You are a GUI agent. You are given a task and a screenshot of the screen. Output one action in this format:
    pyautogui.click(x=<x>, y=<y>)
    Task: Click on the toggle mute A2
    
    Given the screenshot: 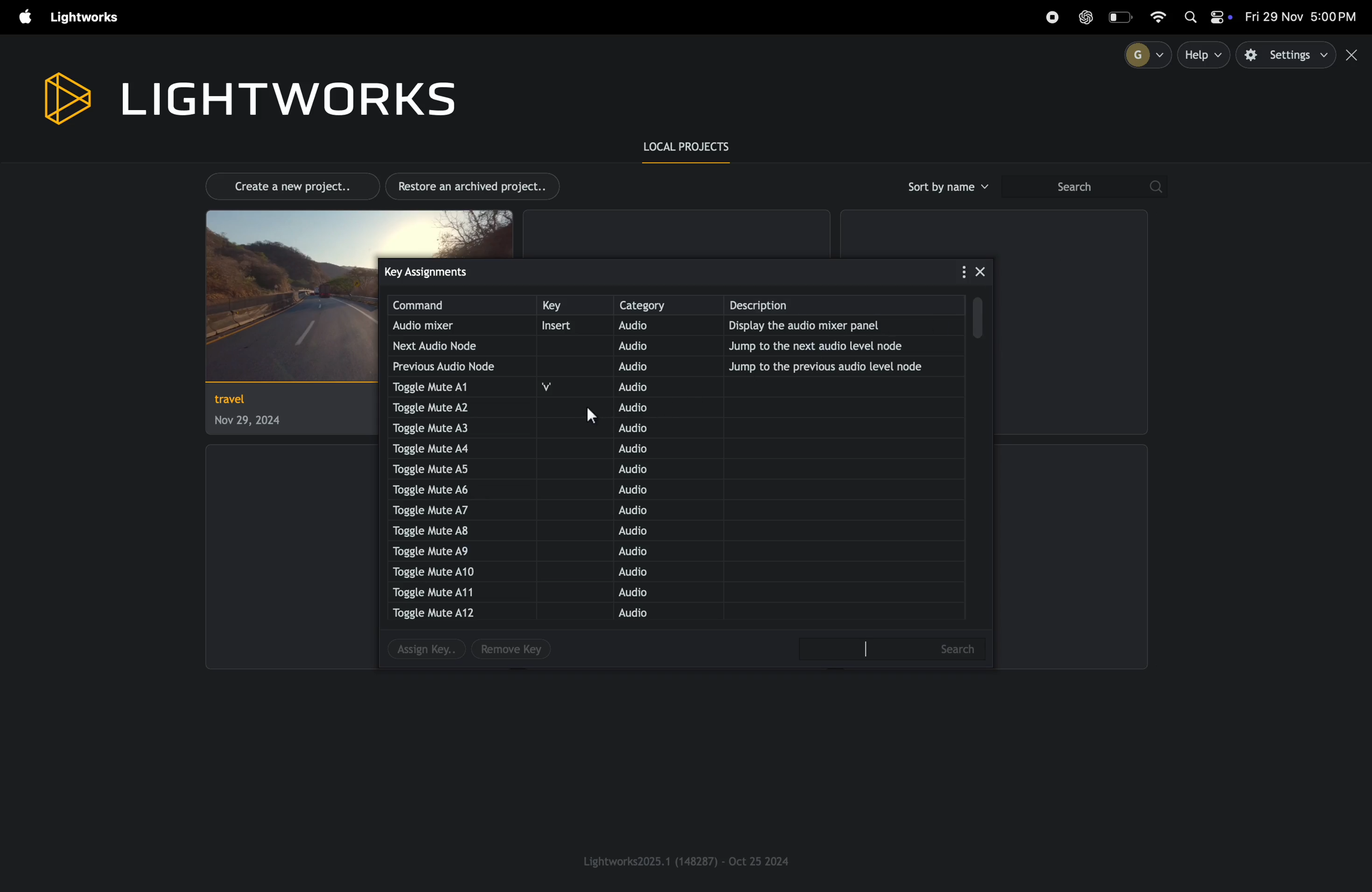 What is the action you would take?
    pyautogui.click(x=461, y=407)
    